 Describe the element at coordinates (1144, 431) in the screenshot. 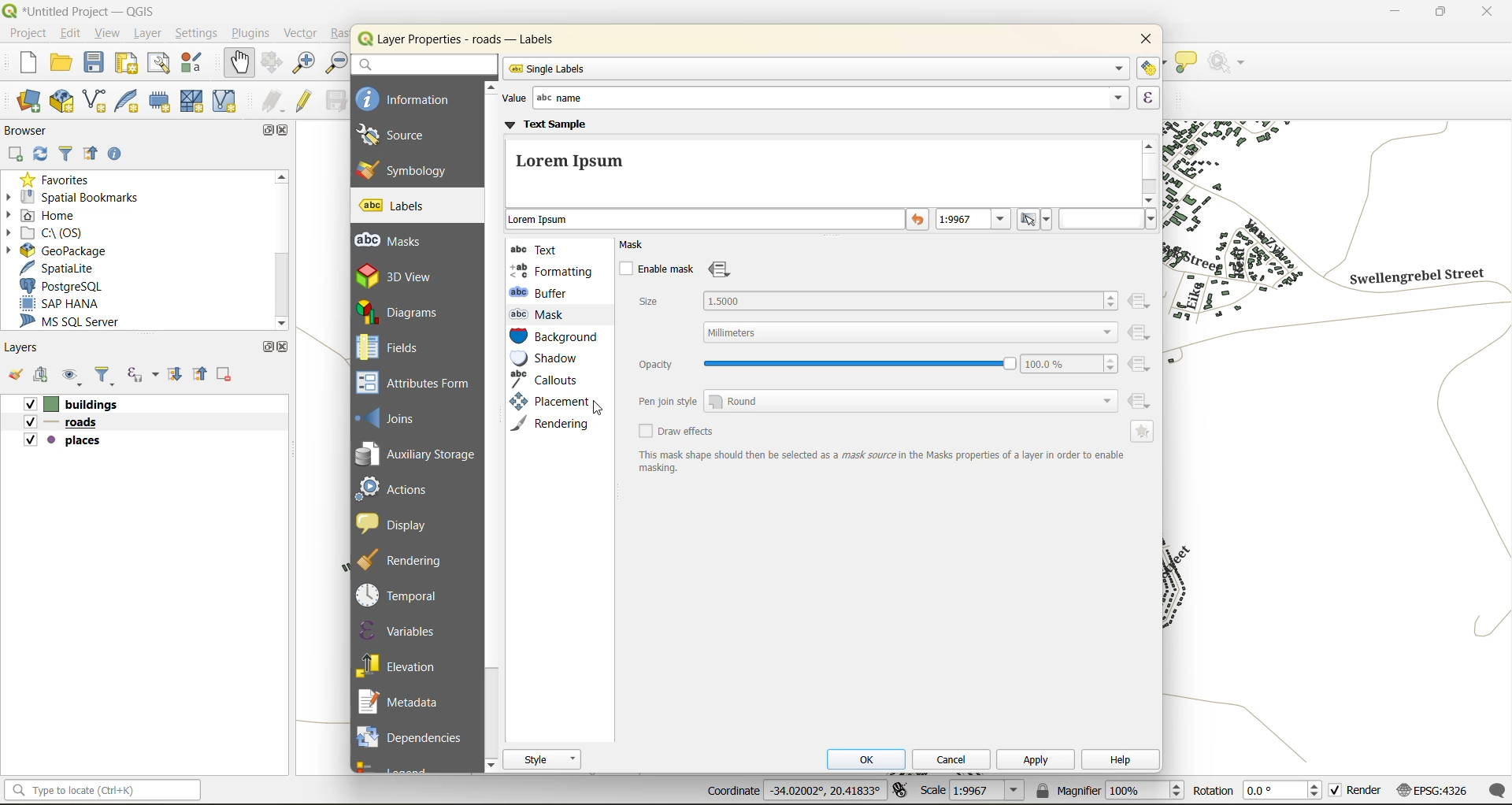

I see `customize effects` at that location.